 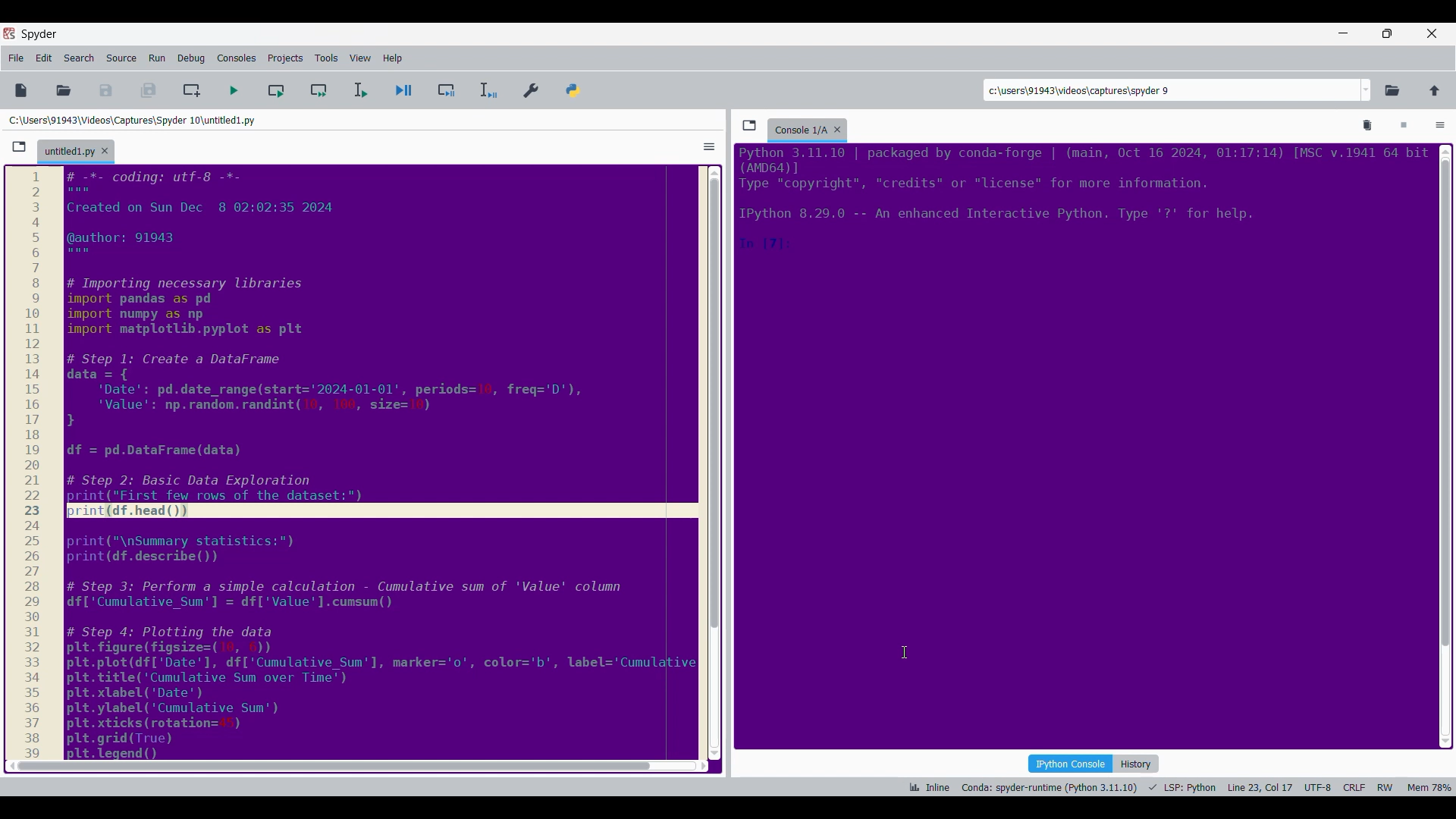 I want to click on Debug selection/current line, so click(x=487, y=90).